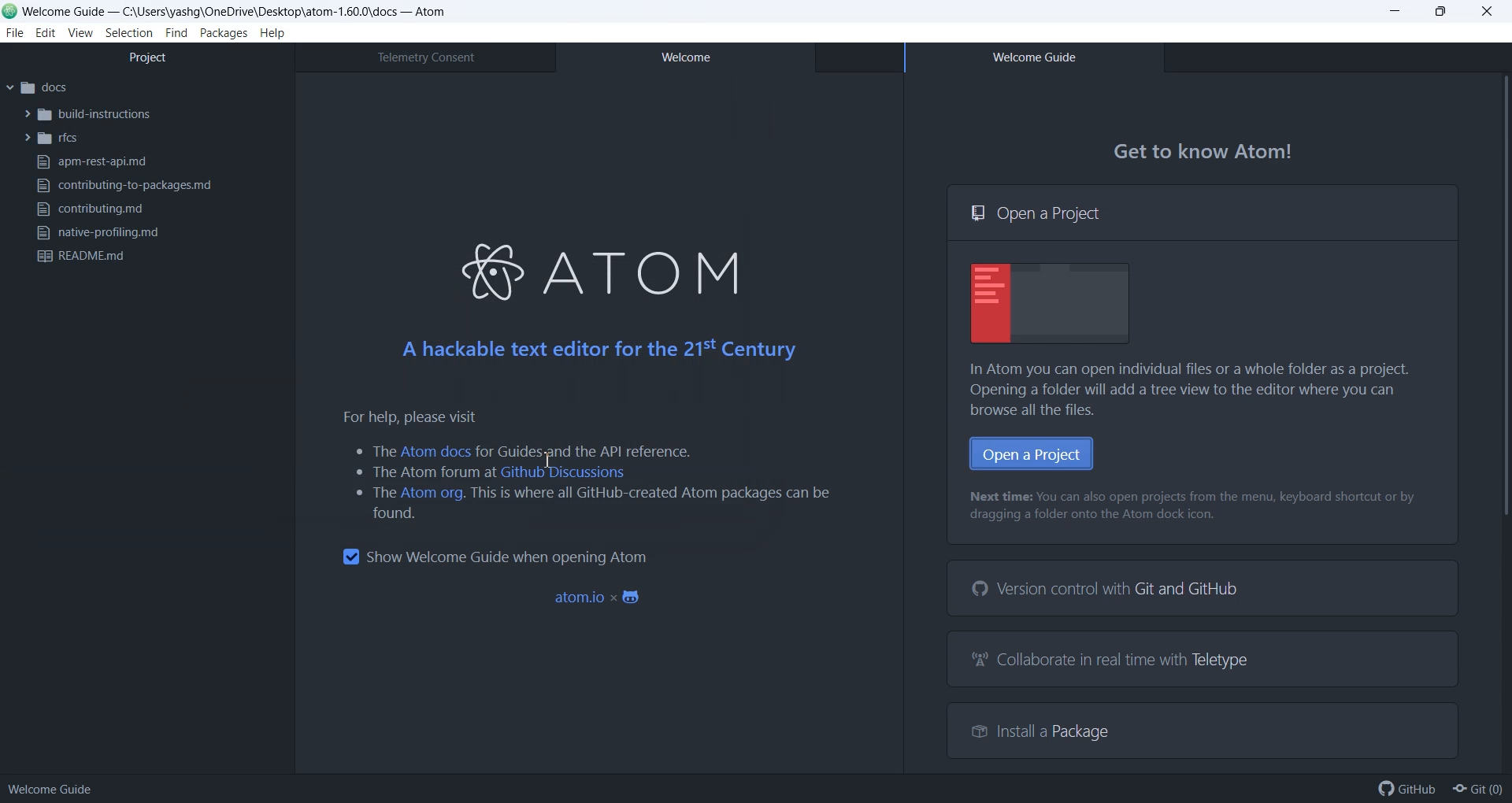  Describe the element at coordinates (553, 462) in the screenshot. I see `Cursor` at that location.